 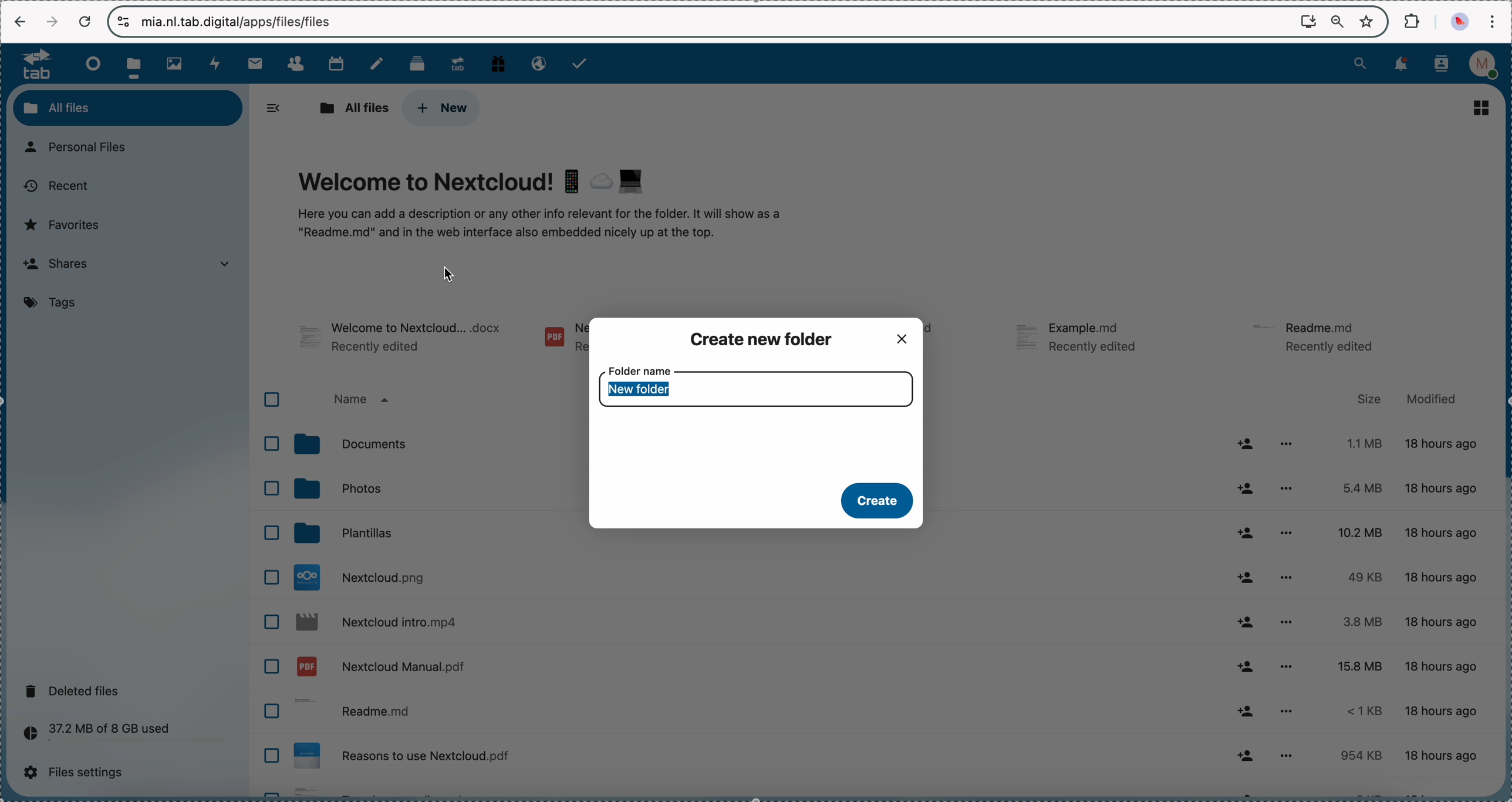 What do you see at coordinates (751, 758) in the screenshot?
I see `file` at bounding box center [751, 758].